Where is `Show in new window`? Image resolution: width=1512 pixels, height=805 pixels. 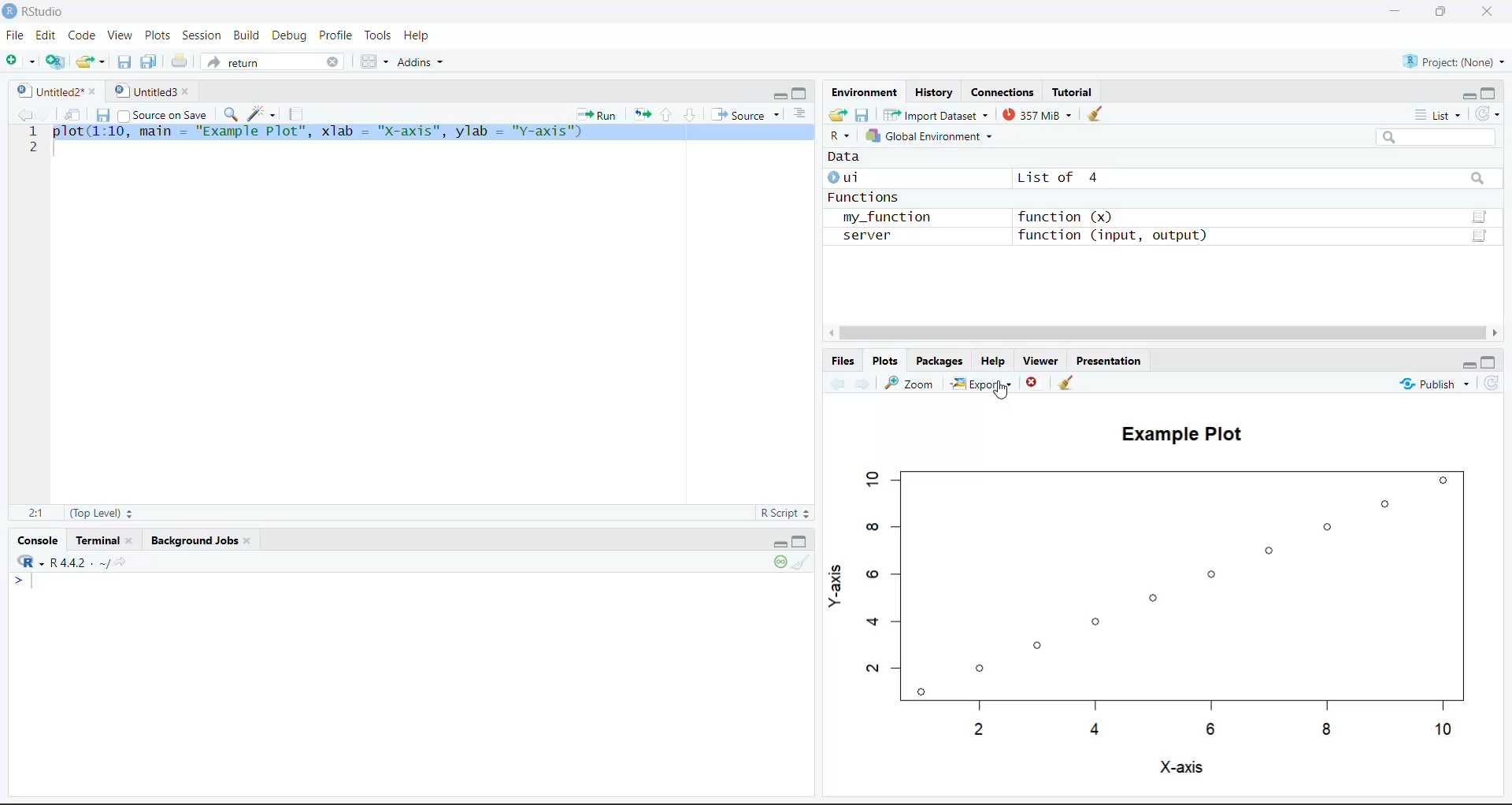 Show in new window is located at coordinates (70, 112).